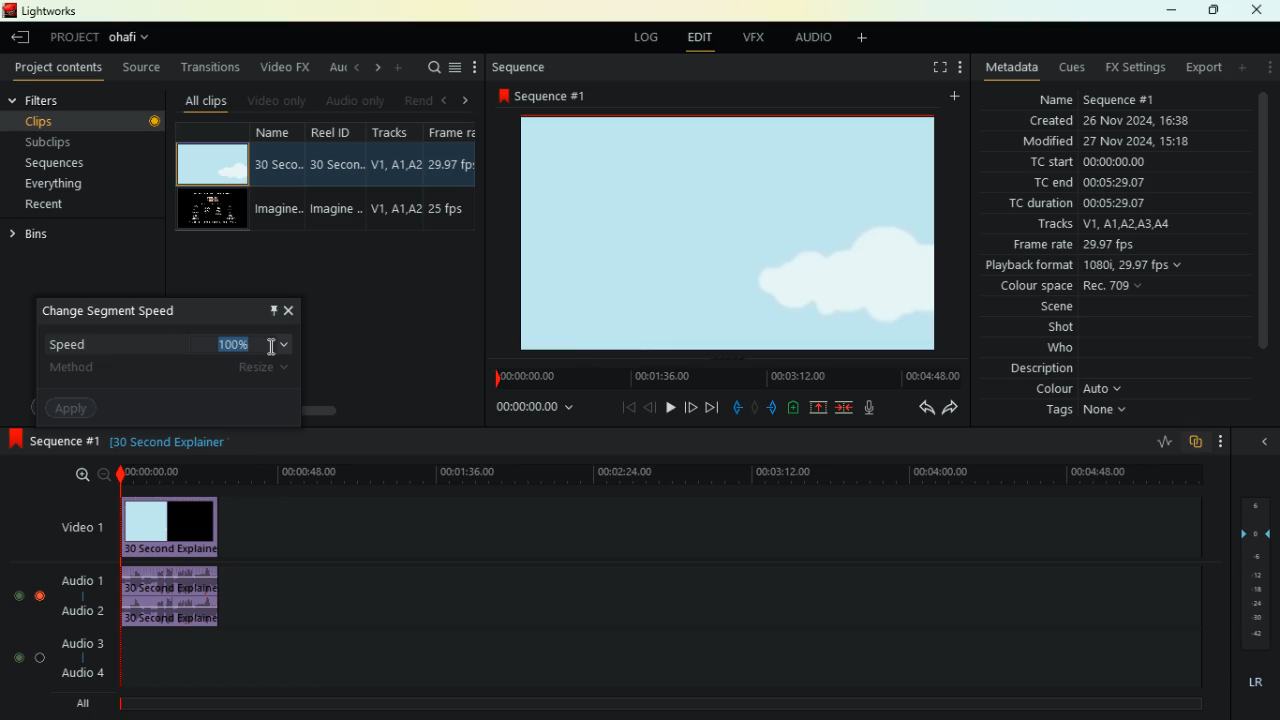 The height and width of the screenshot is (720, 1280). I want to click on reel id, so click(339, 178).